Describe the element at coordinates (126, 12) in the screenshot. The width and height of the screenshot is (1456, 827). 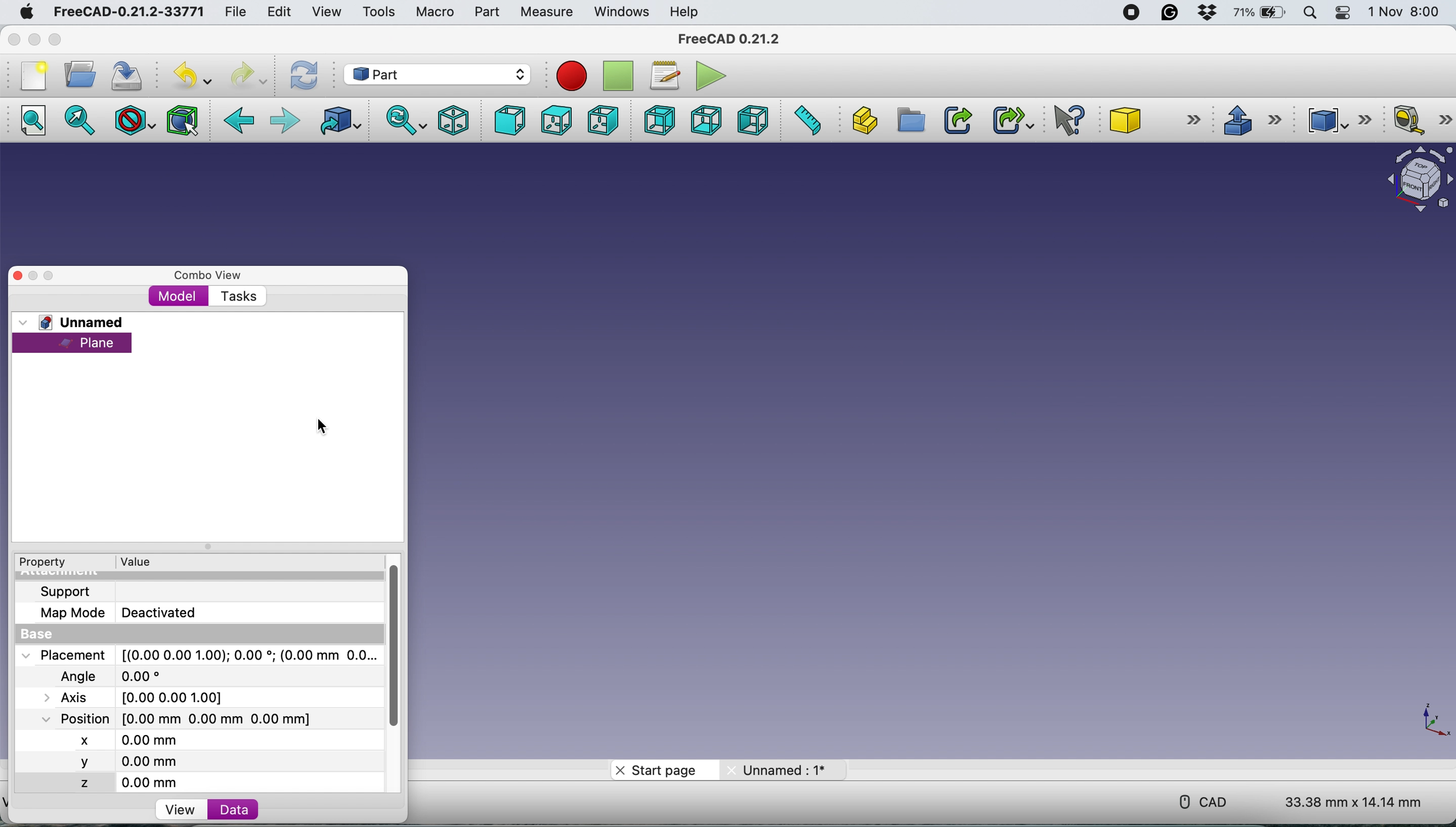
I see `FreeCAD-0.21.2-33771` at that location.